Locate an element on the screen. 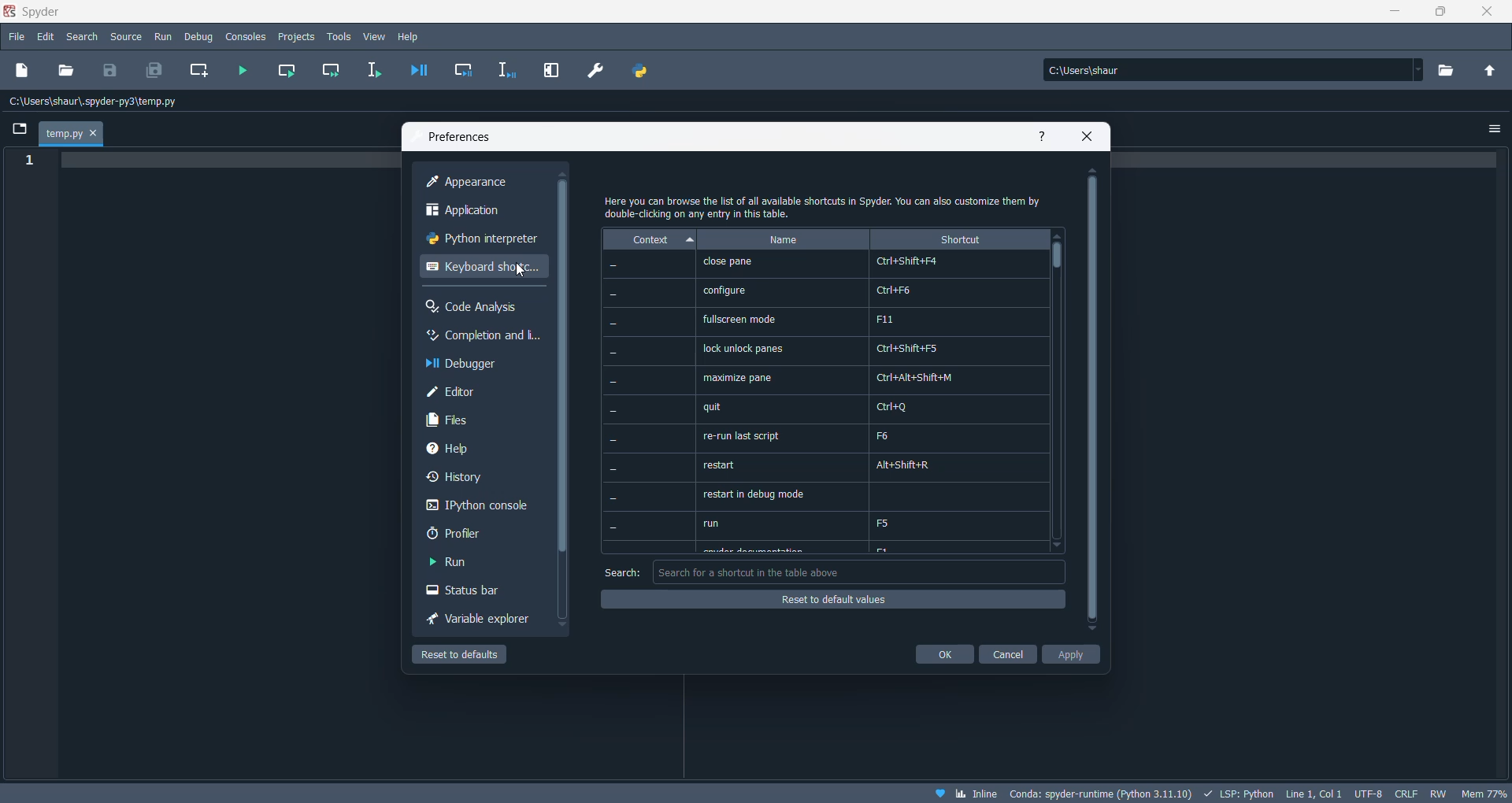  PREFERENCES is located at coordinates (597, 71).